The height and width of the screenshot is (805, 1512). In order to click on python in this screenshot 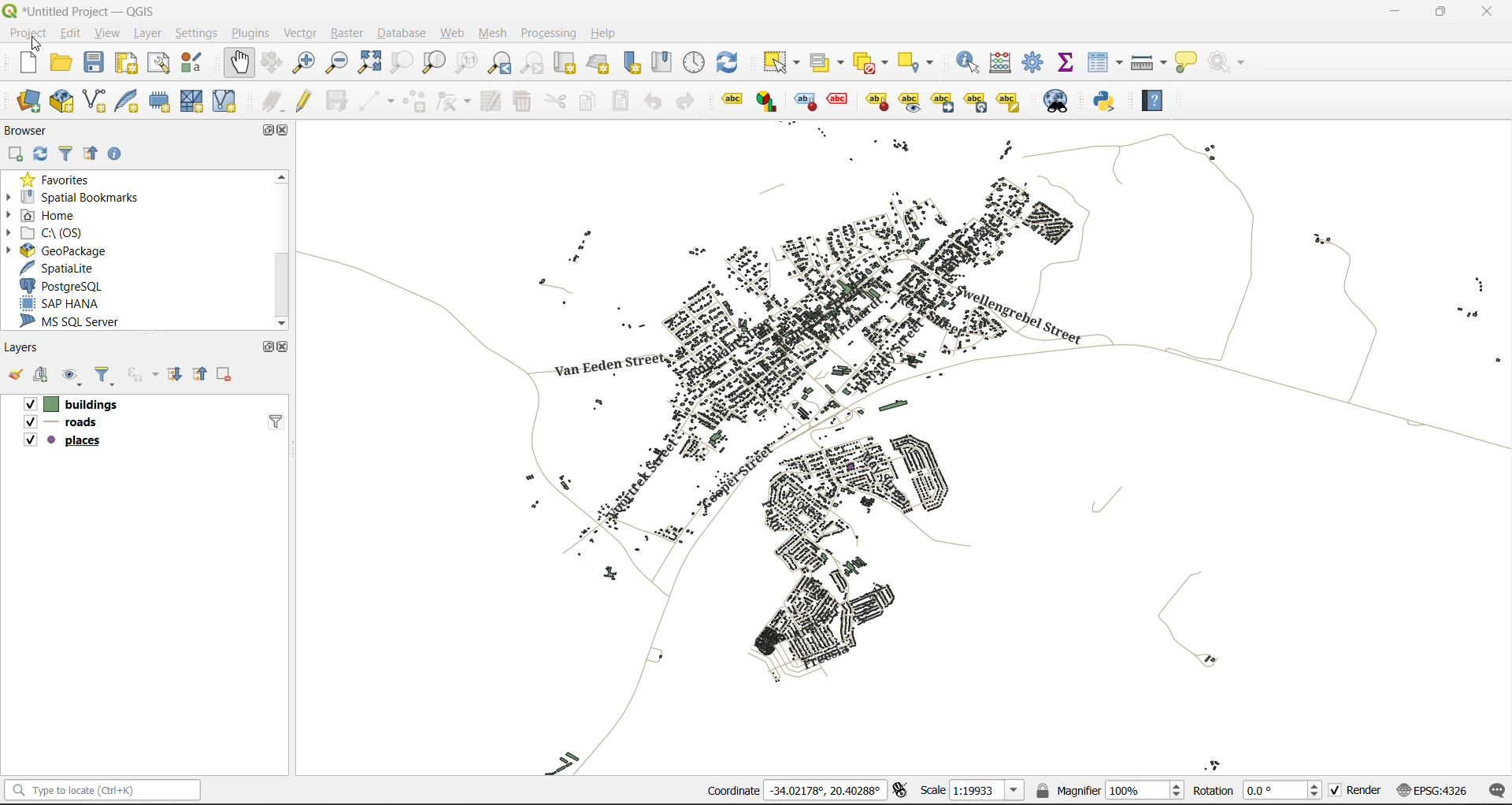, I will do `click(1111, 102)`.